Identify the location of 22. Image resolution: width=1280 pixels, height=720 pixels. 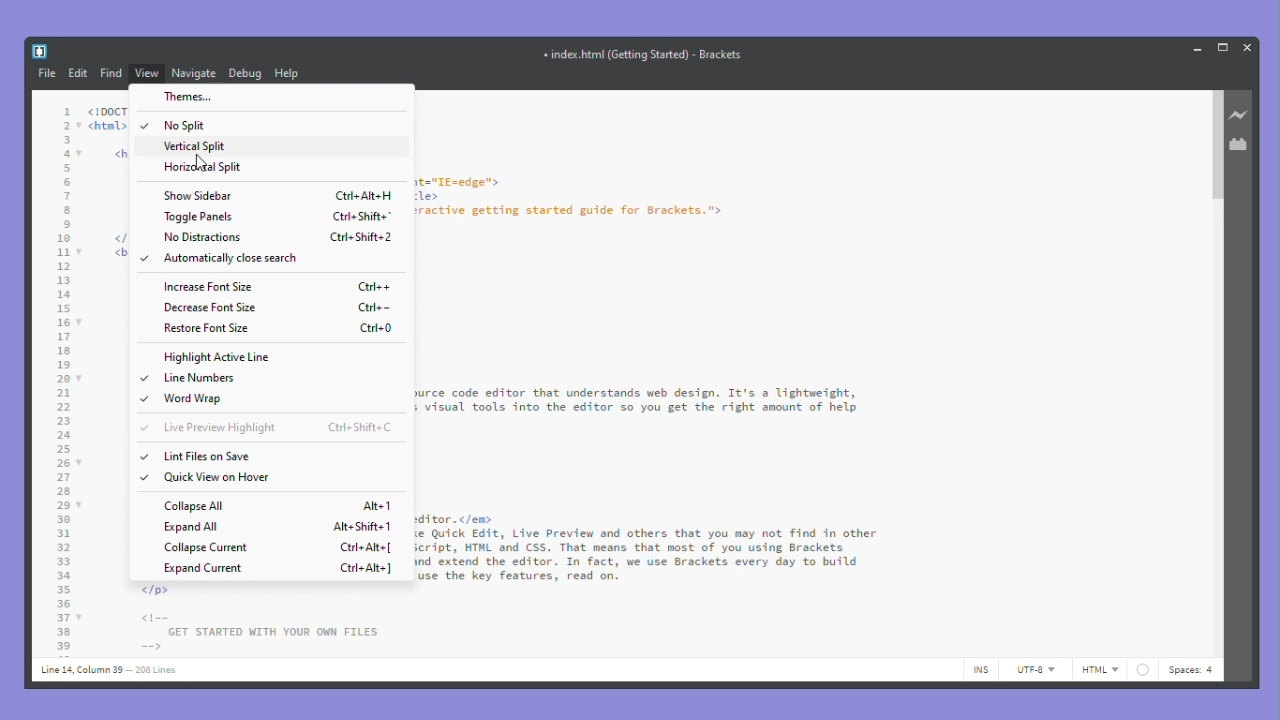
(63, 407).